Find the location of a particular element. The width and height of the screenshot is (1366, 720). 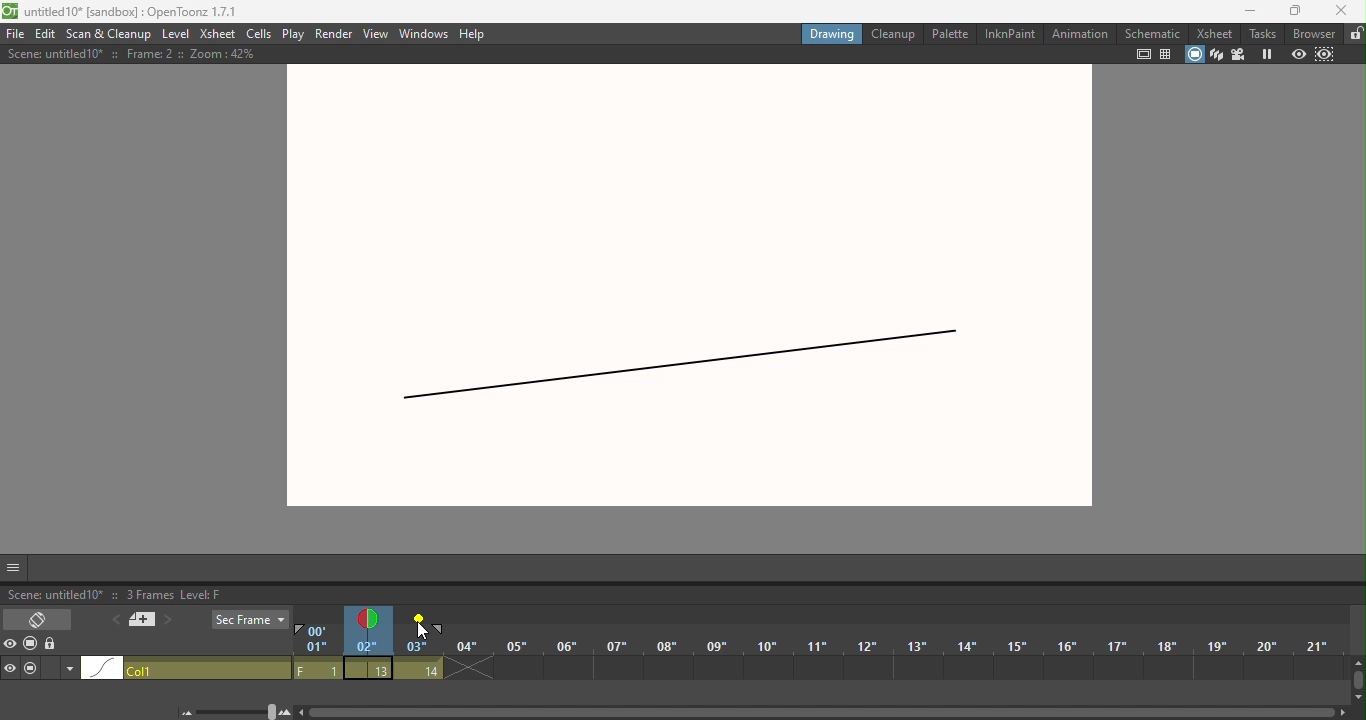

Cursor is located at coordinates (421, 631).